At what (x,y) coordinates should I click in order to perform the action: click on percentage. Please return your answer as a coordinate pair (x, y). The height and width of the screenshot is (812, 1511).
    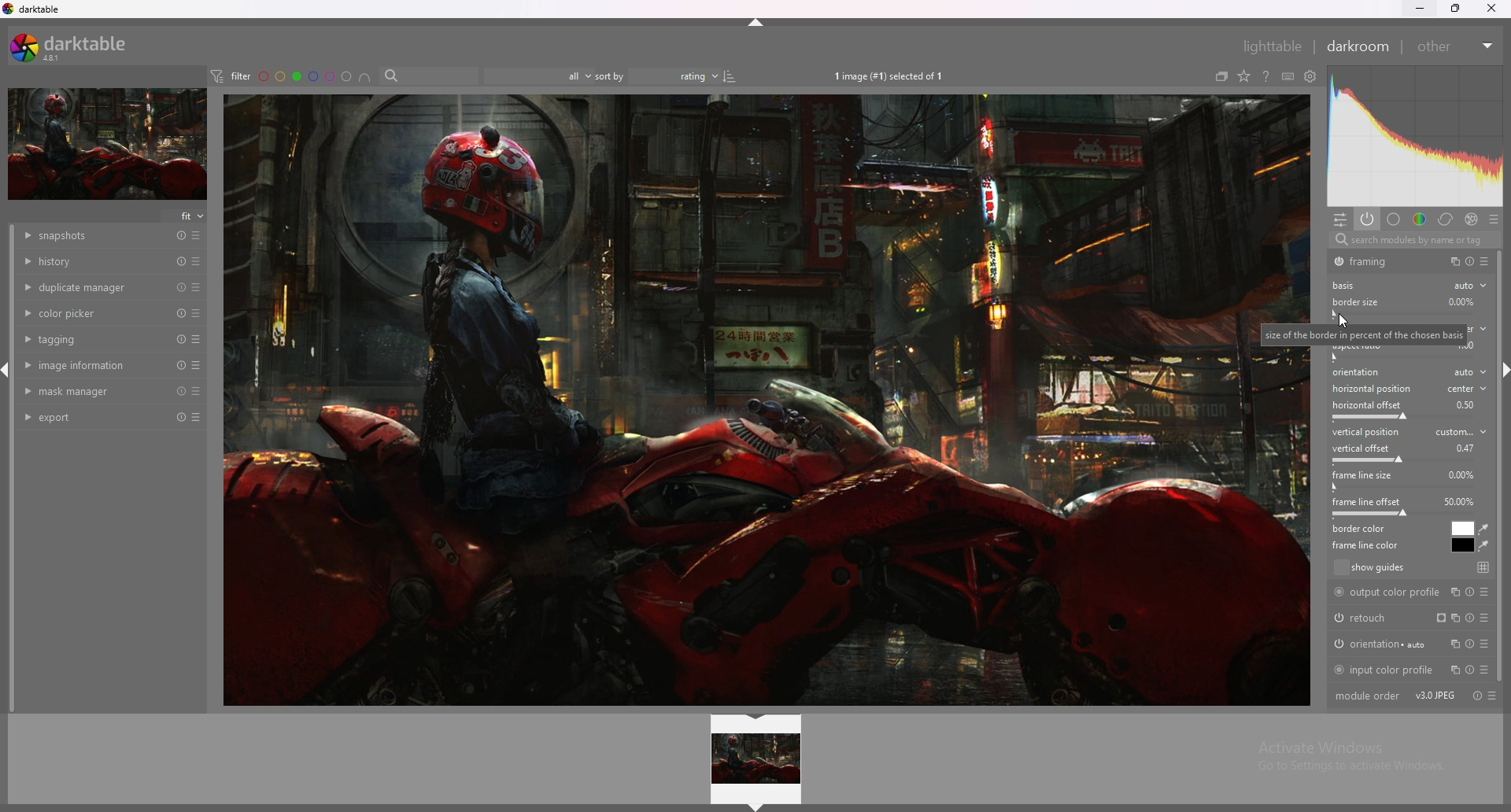
    Looking at the image, I should click on (1465, 447).